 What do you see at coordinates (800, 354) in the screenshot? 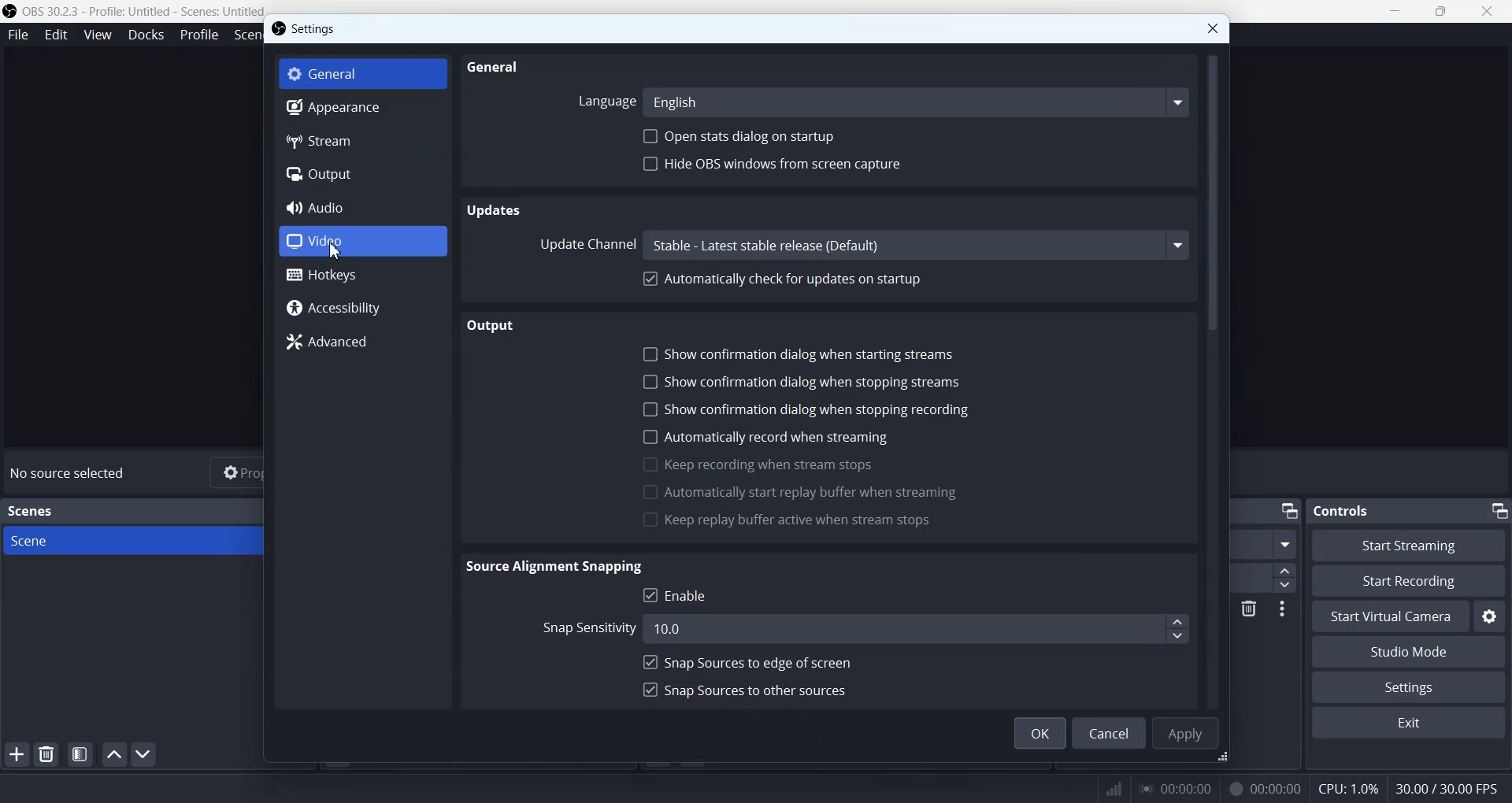
I see `Show confirmation dialog when starting streams` at bounding box center [800, 354].